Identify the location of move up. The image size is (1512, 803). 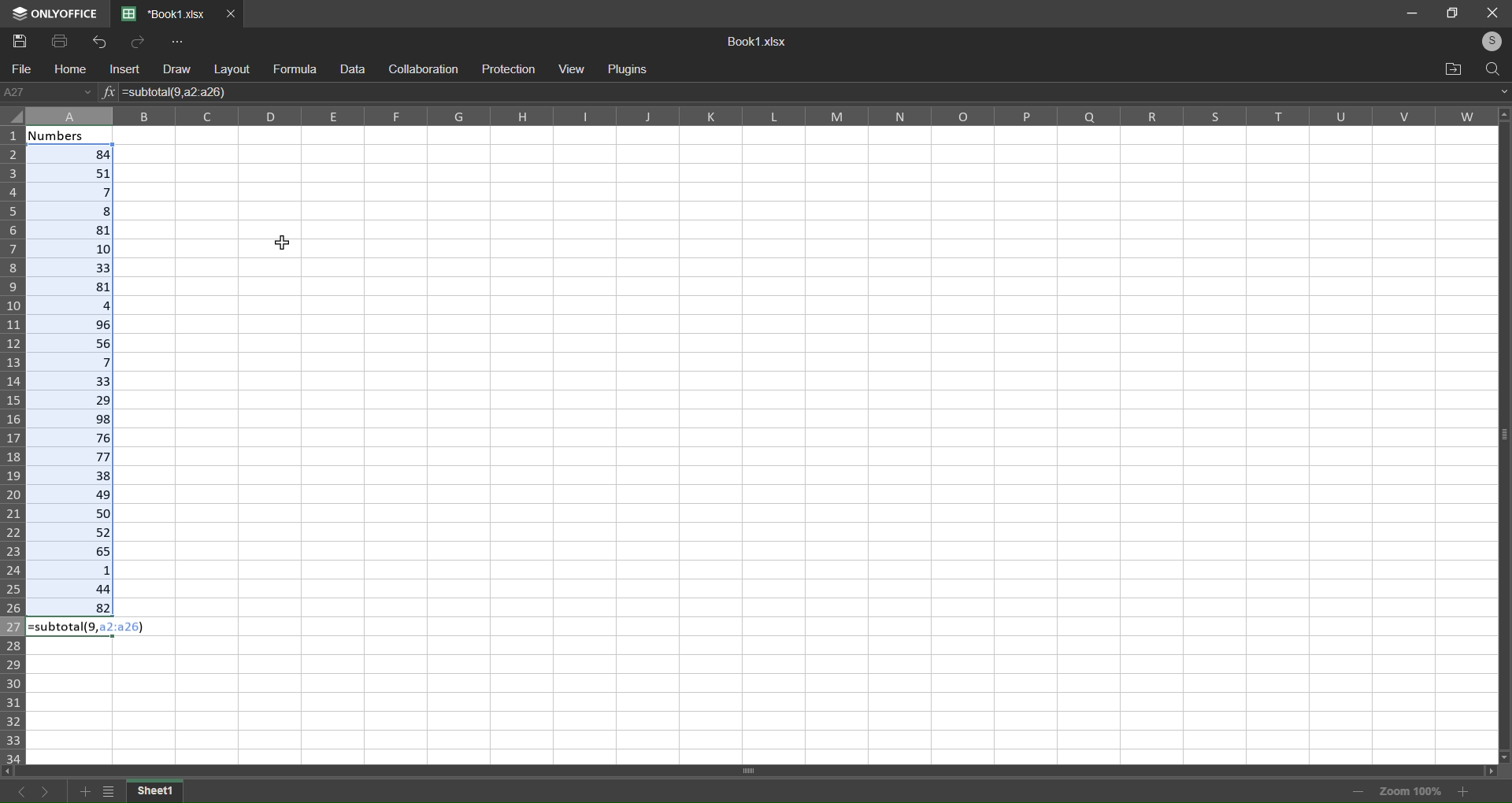
(1502, 113).